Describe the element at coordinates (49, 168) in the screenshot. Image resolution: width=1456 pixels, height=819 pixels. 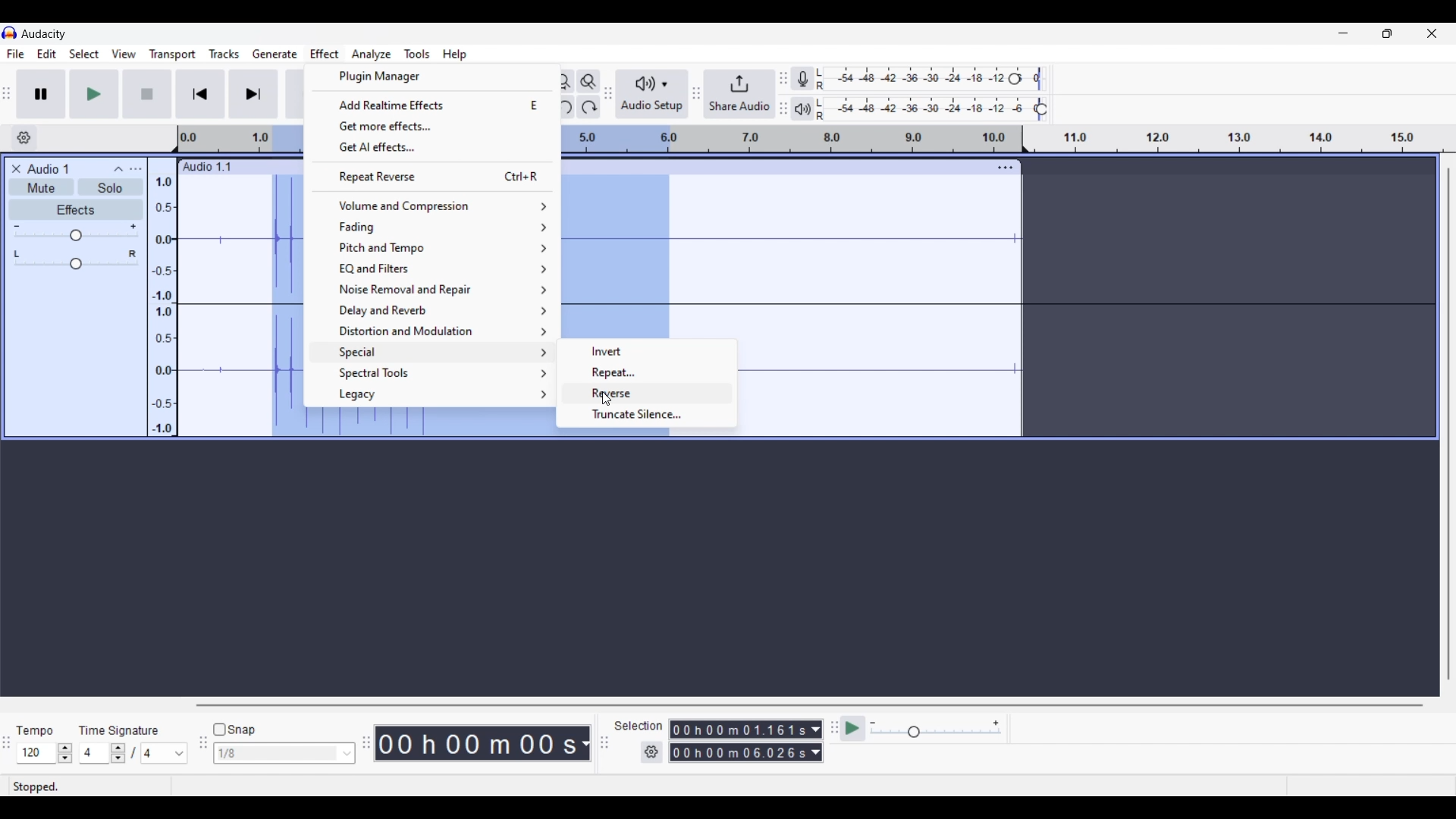
I see `Name of audio track` at that location.